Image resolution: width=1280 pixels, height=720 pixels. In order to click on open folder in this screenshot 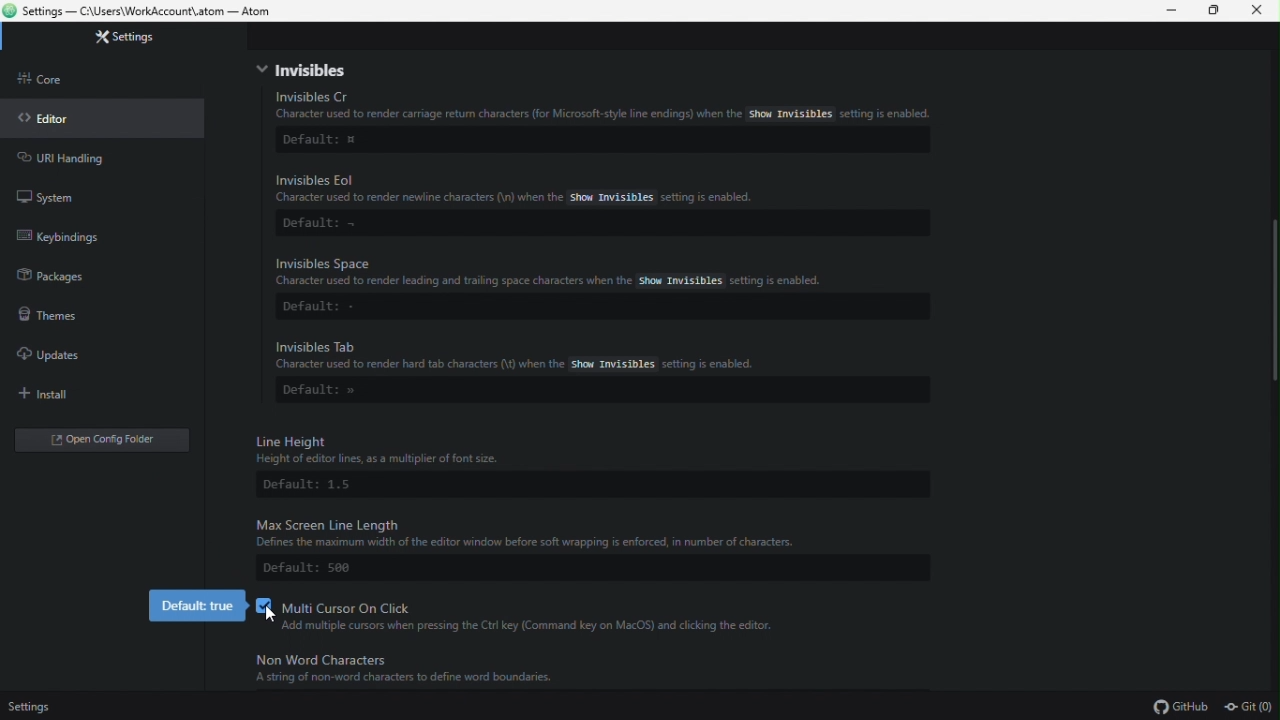, I will do `click(105, 440)`.